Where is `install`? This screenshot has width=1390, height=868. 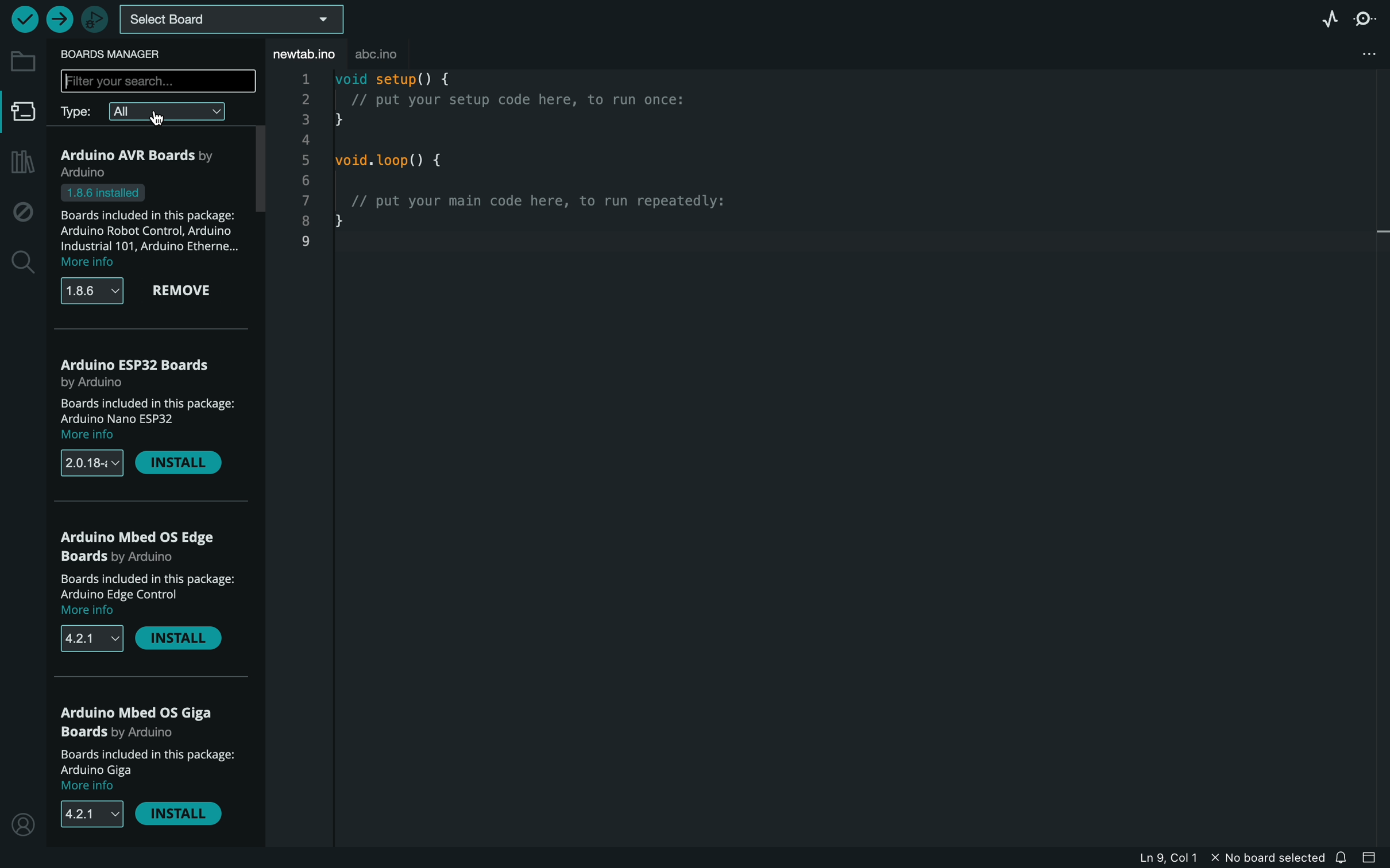 install is located at coordinates (179, 813).